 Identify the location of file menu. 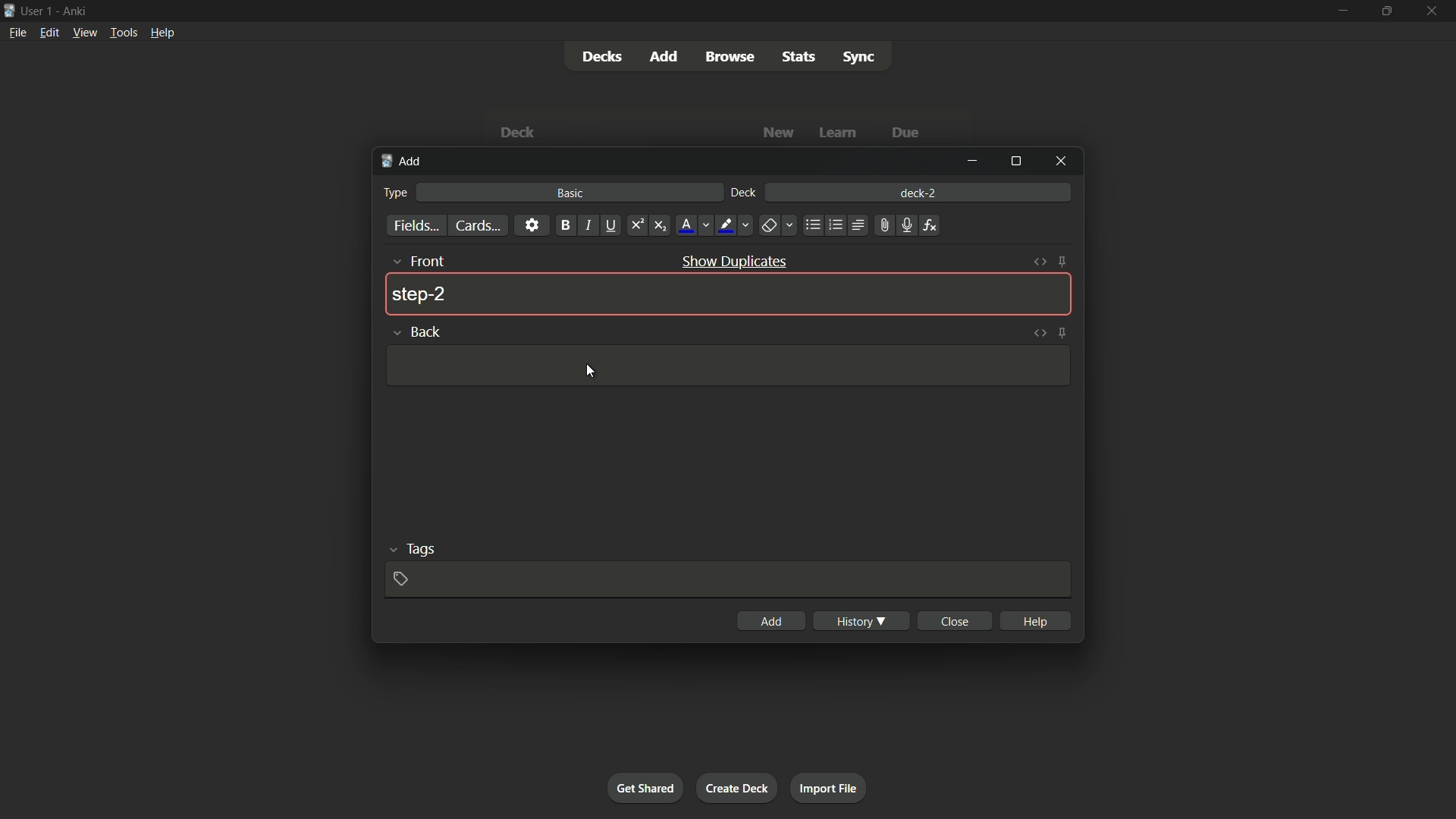
(16, 33).